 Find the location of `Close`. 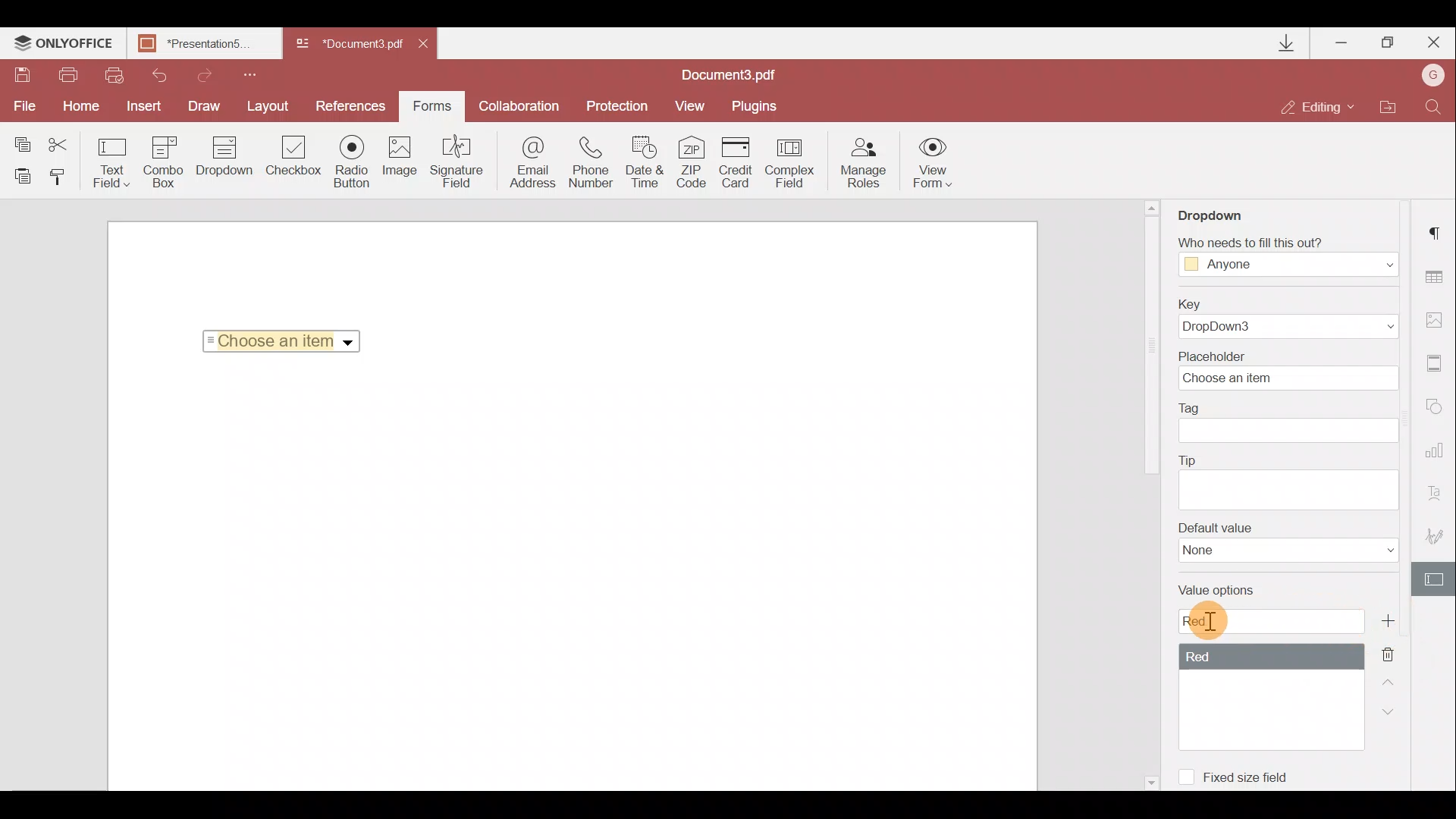

Close is located at coordinates (1432, 43).